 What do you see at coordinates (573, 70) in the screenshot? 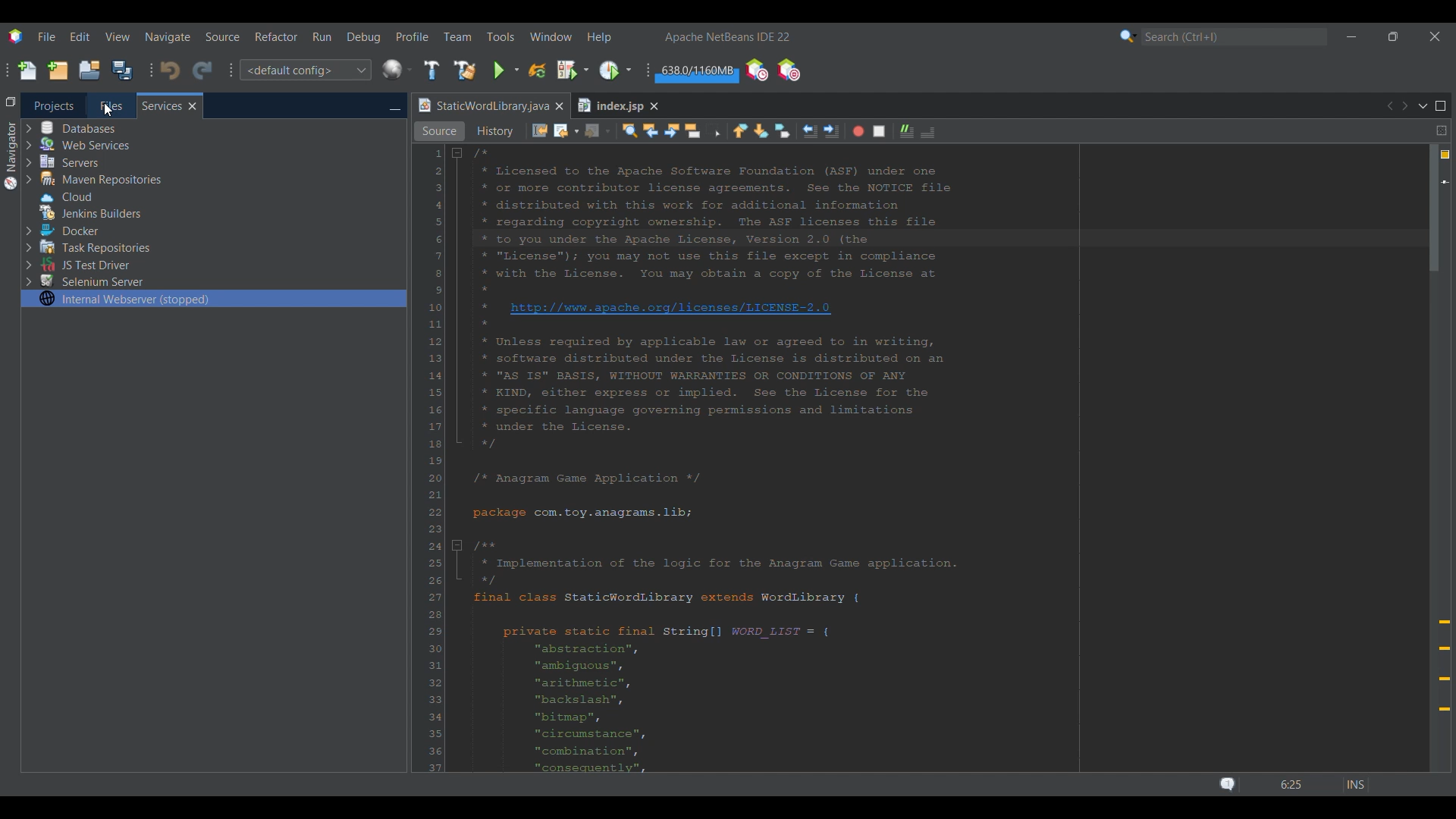
I see `Debug main project` at bounding box center [573, 70].